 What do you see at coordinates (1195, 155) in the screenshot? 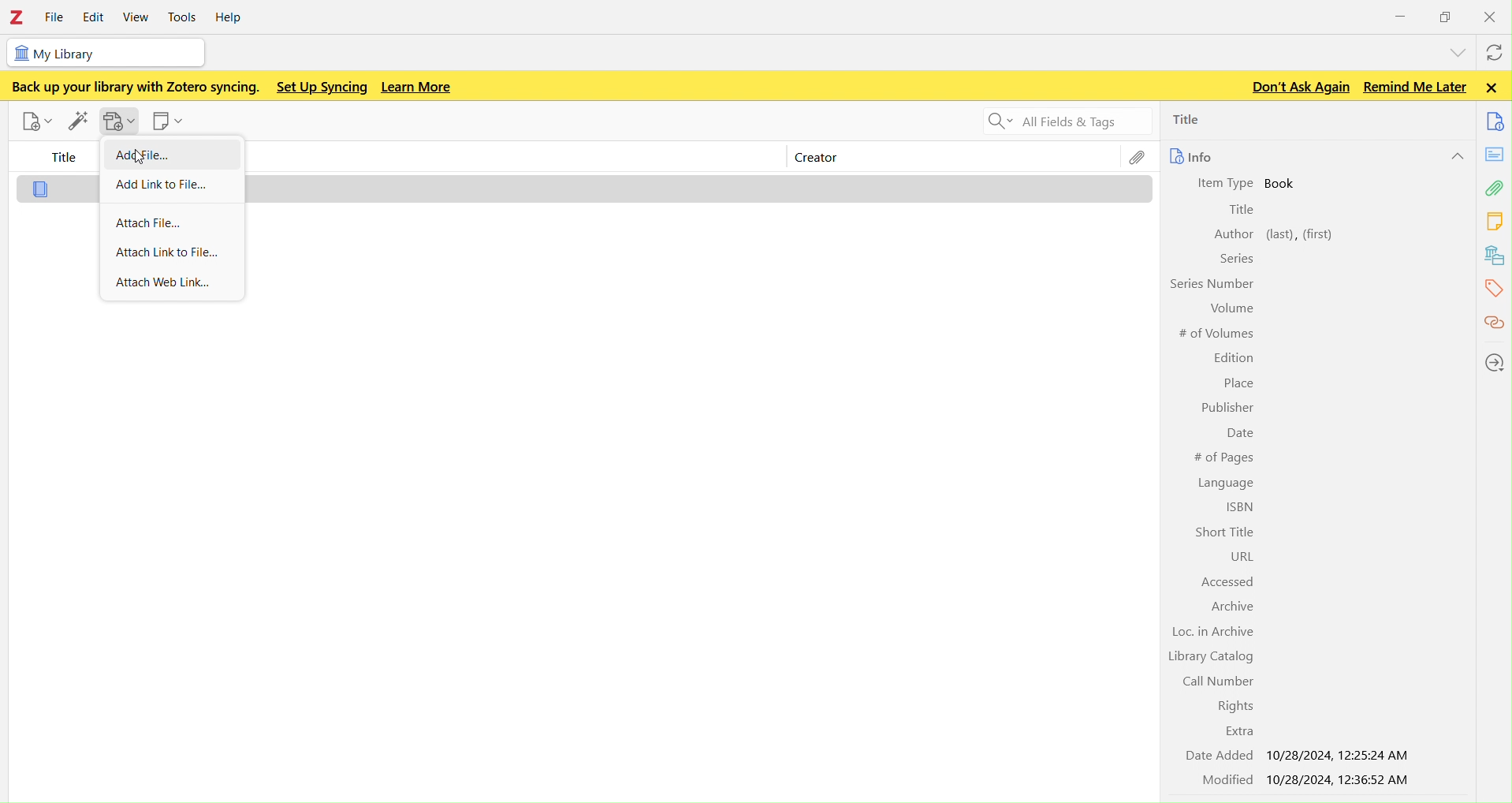
I see `info` at bounding box center [1195, 155].